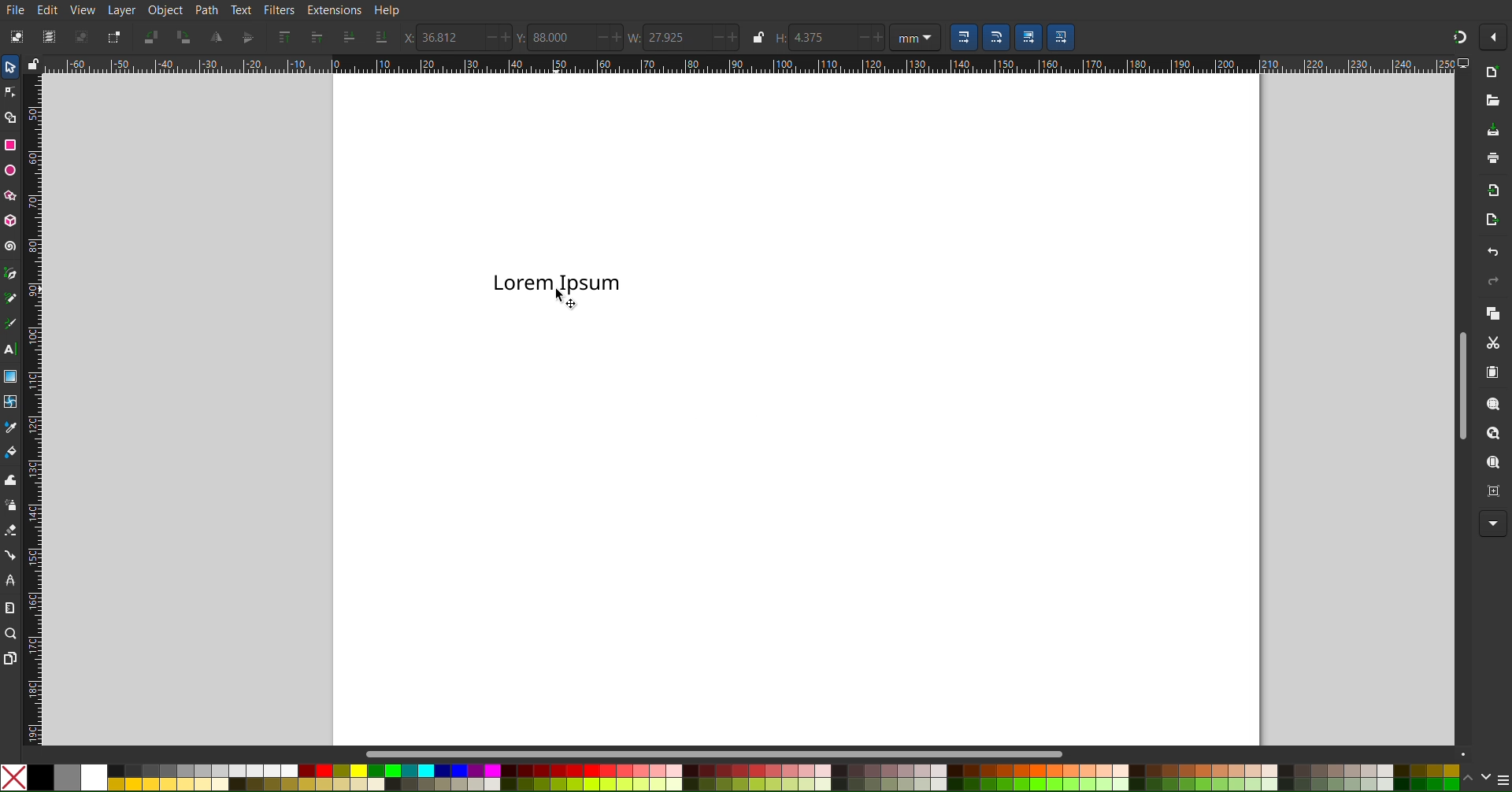 This screenshot has height=792, width=1512. I want to click on Extensions, so click(334, 9).